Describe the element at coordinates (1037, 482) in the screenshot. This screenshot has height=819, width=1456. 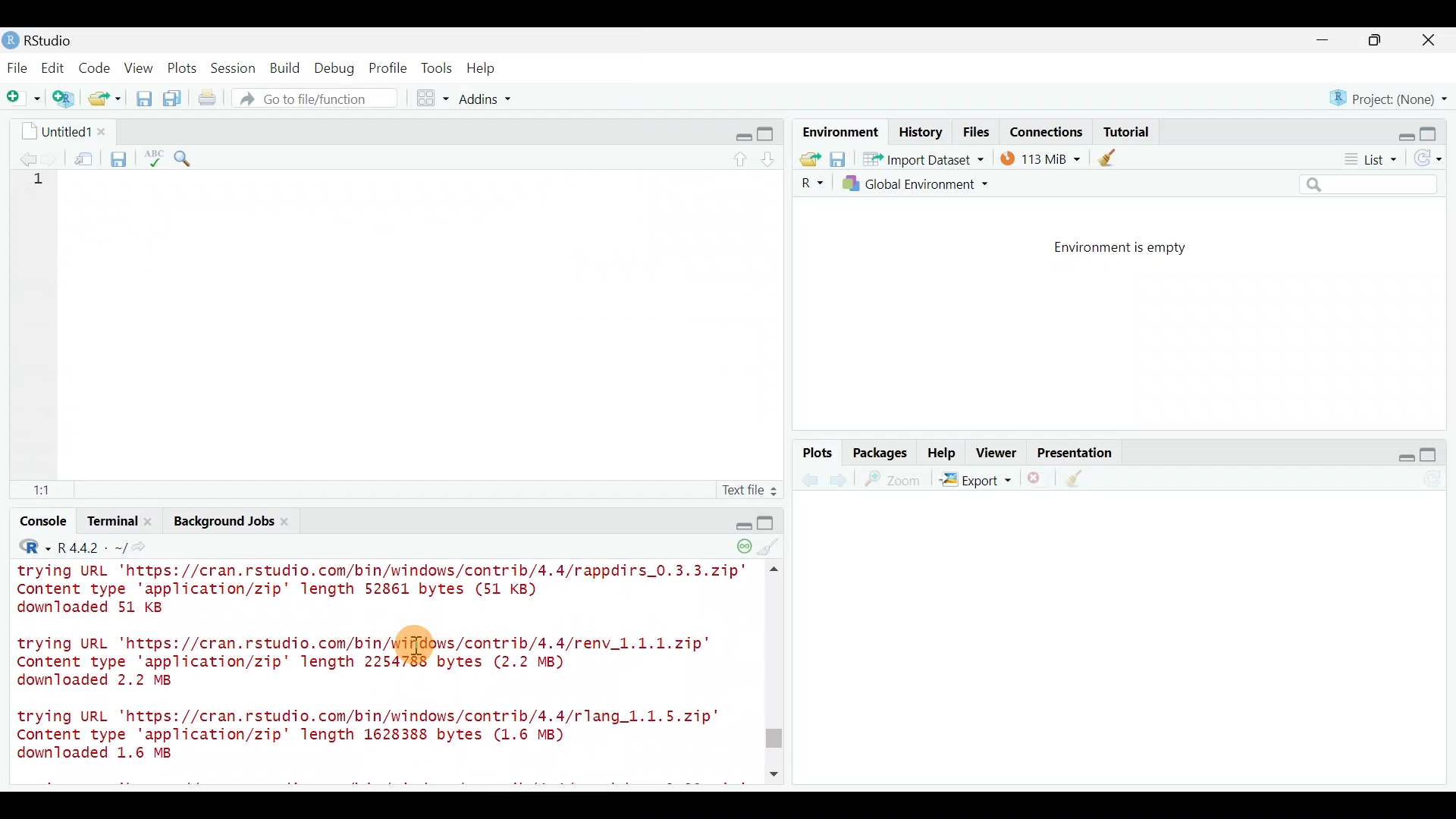
I see `remove the current plot` at that location.